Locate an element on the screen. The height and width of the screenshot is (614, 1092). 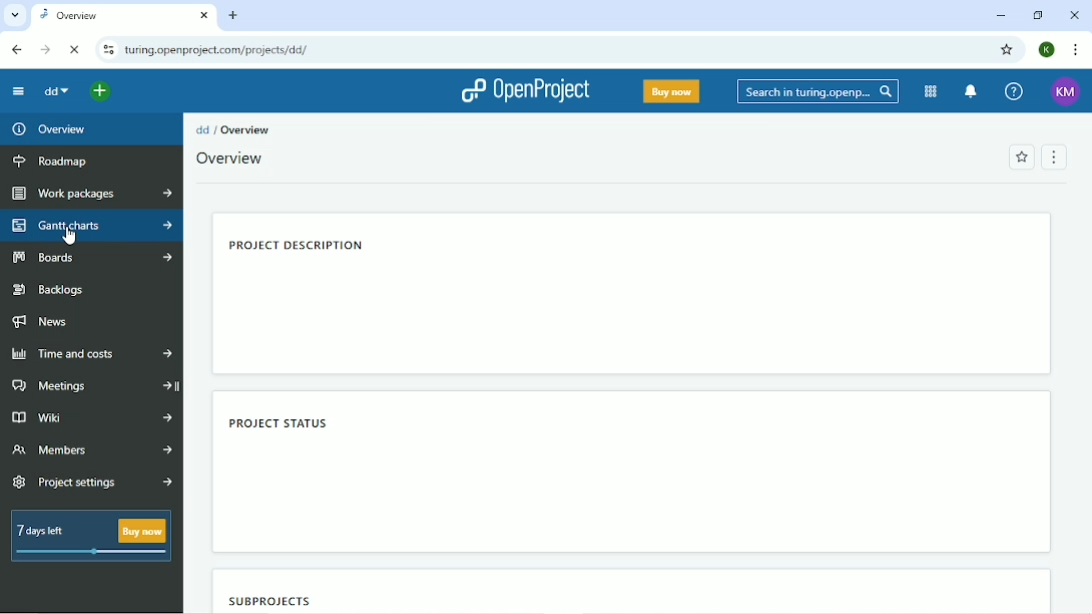
Search a project is located at coordinates (85, 92).